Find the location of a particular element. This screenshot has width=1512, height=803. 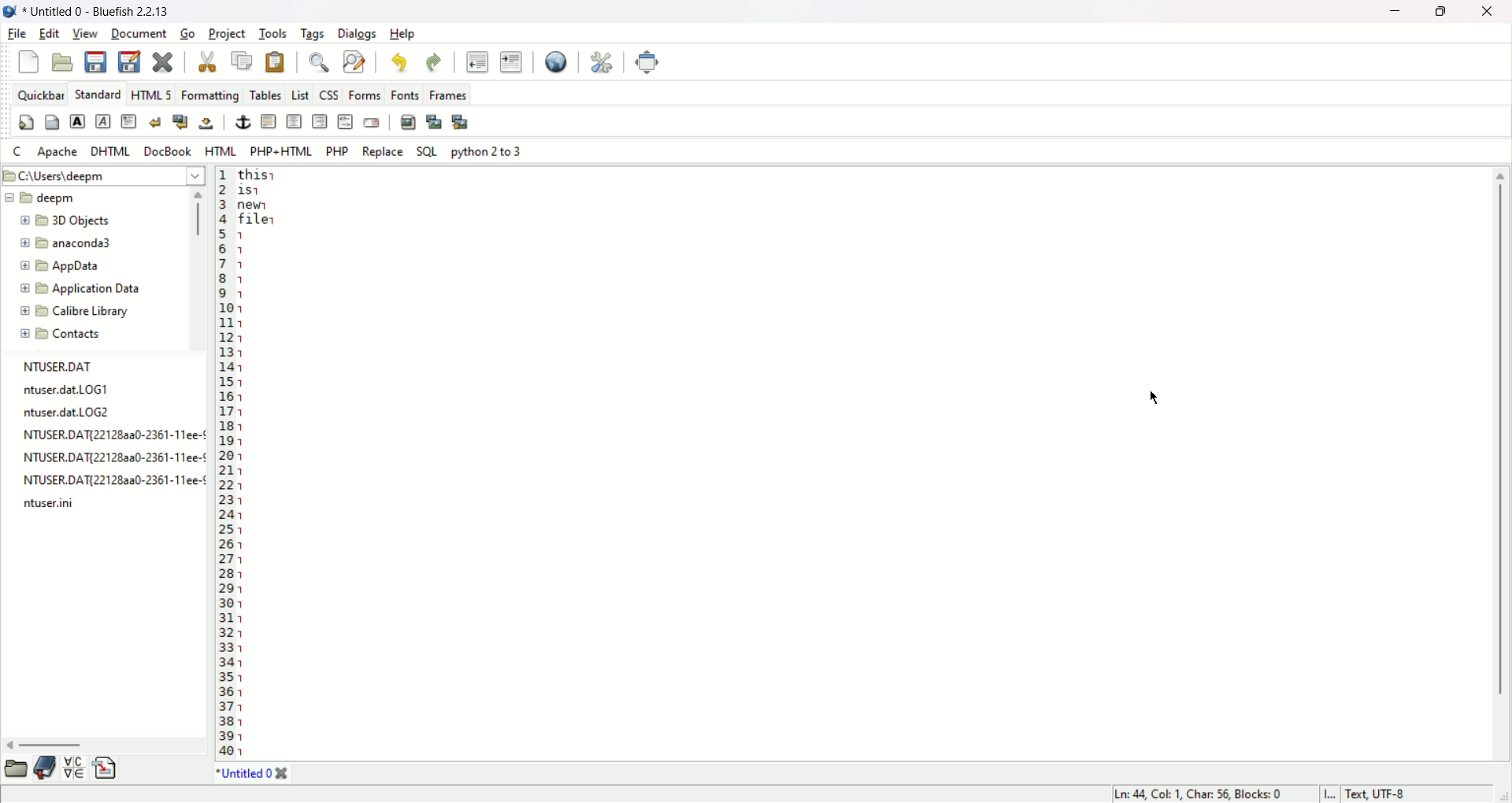

edit is located at coordinates (49, 33).